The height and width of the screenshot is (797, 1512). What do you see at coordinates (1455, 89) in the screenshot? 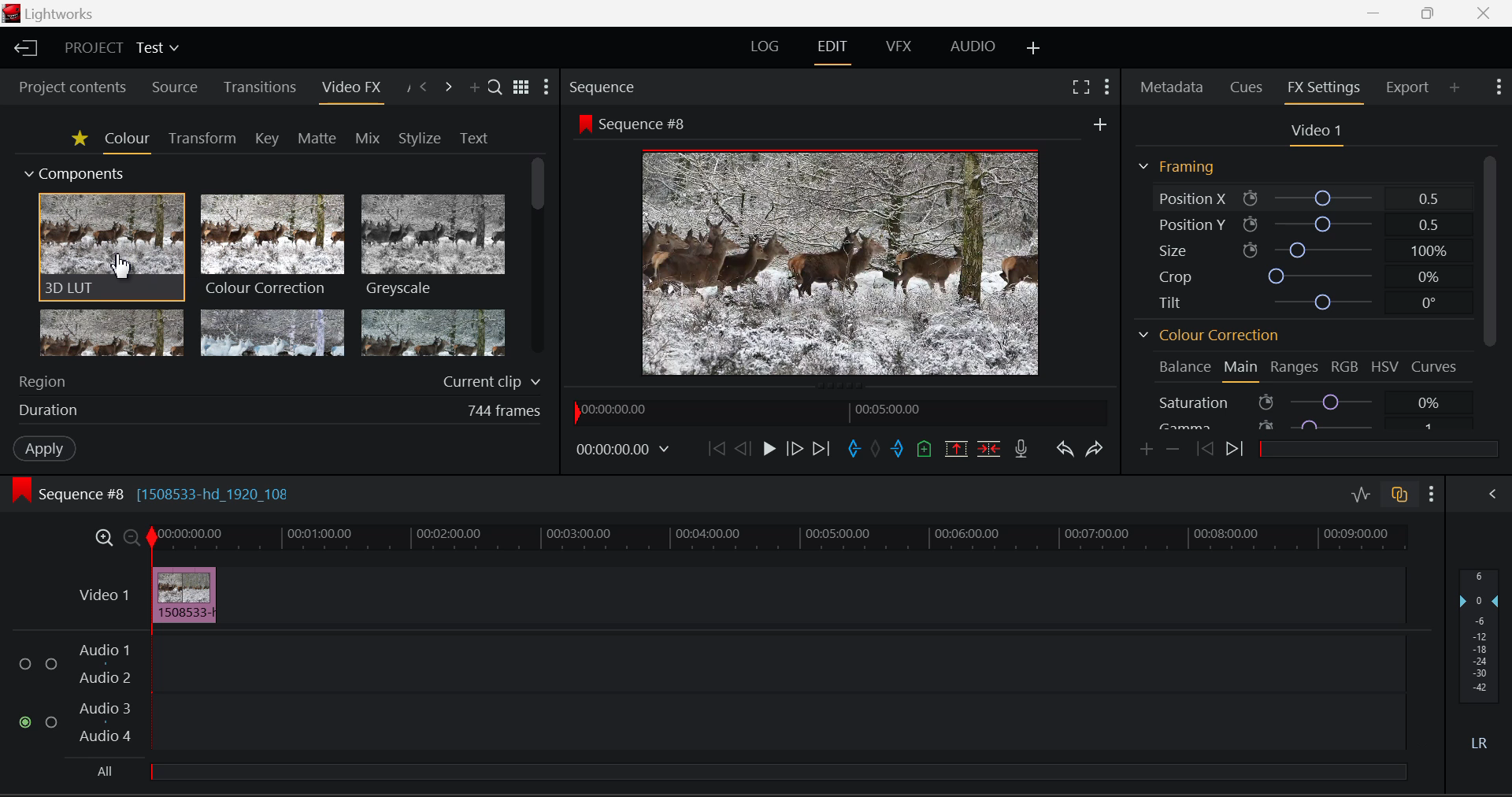
I see `Add Panel` at bounding box center [1455, 89].